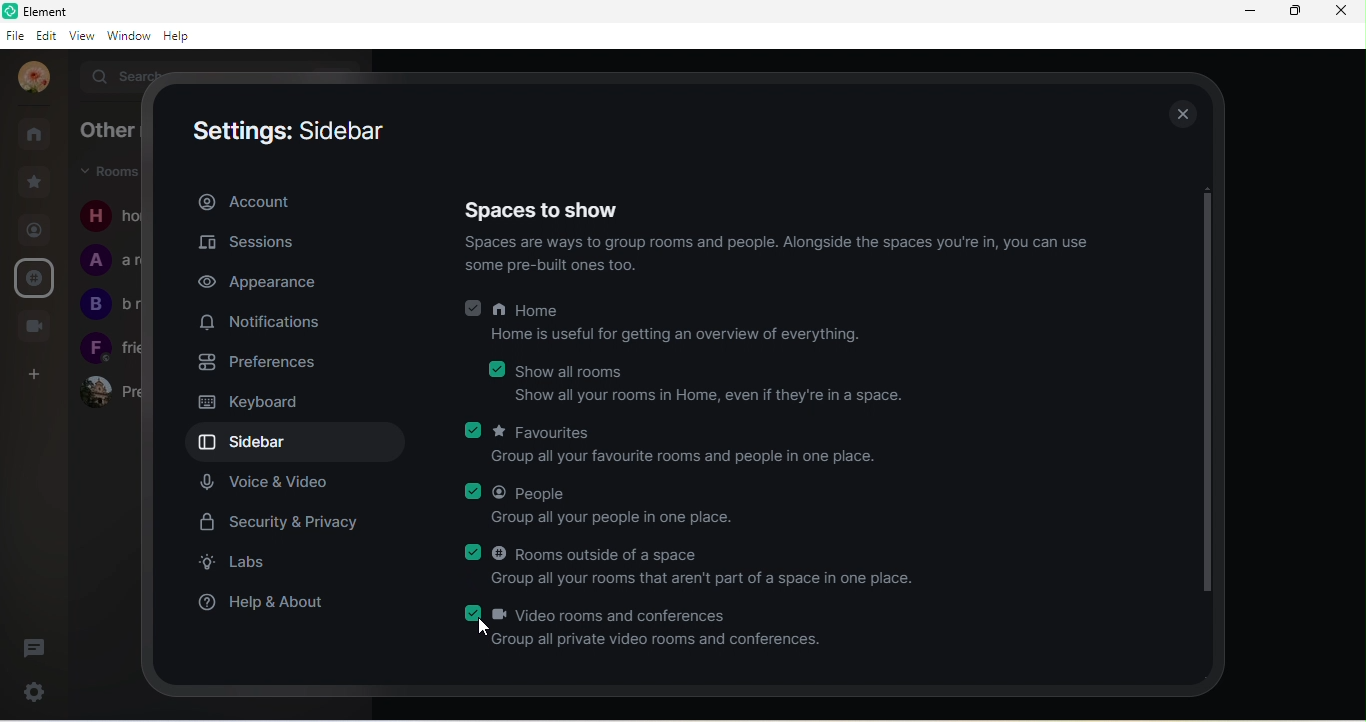 This screenshot has width=1366, height=722. What do you see at coordinates (647, 626) in the screenshot?
I see `video rooms and conferences` at bounding box center [647, 626].